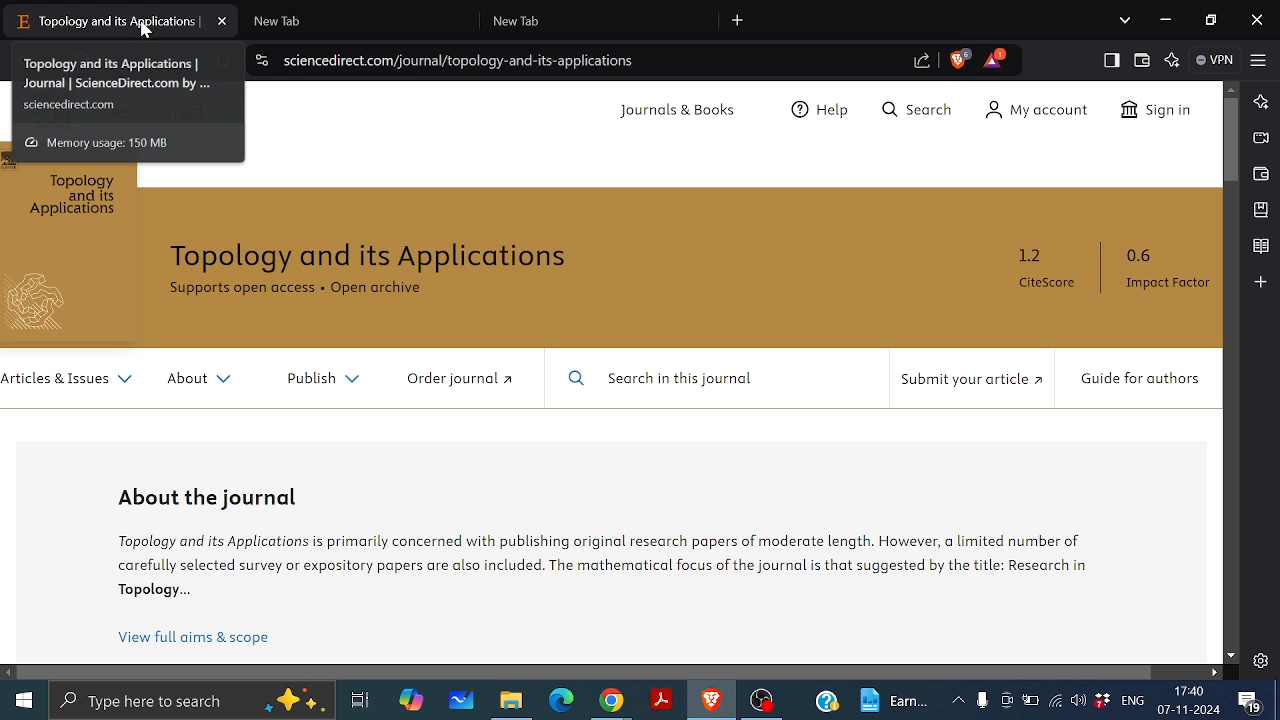 Image resolution: width=1280 pixels, height=720 pixels. I want to click on Submit your article , so click(967, 380).